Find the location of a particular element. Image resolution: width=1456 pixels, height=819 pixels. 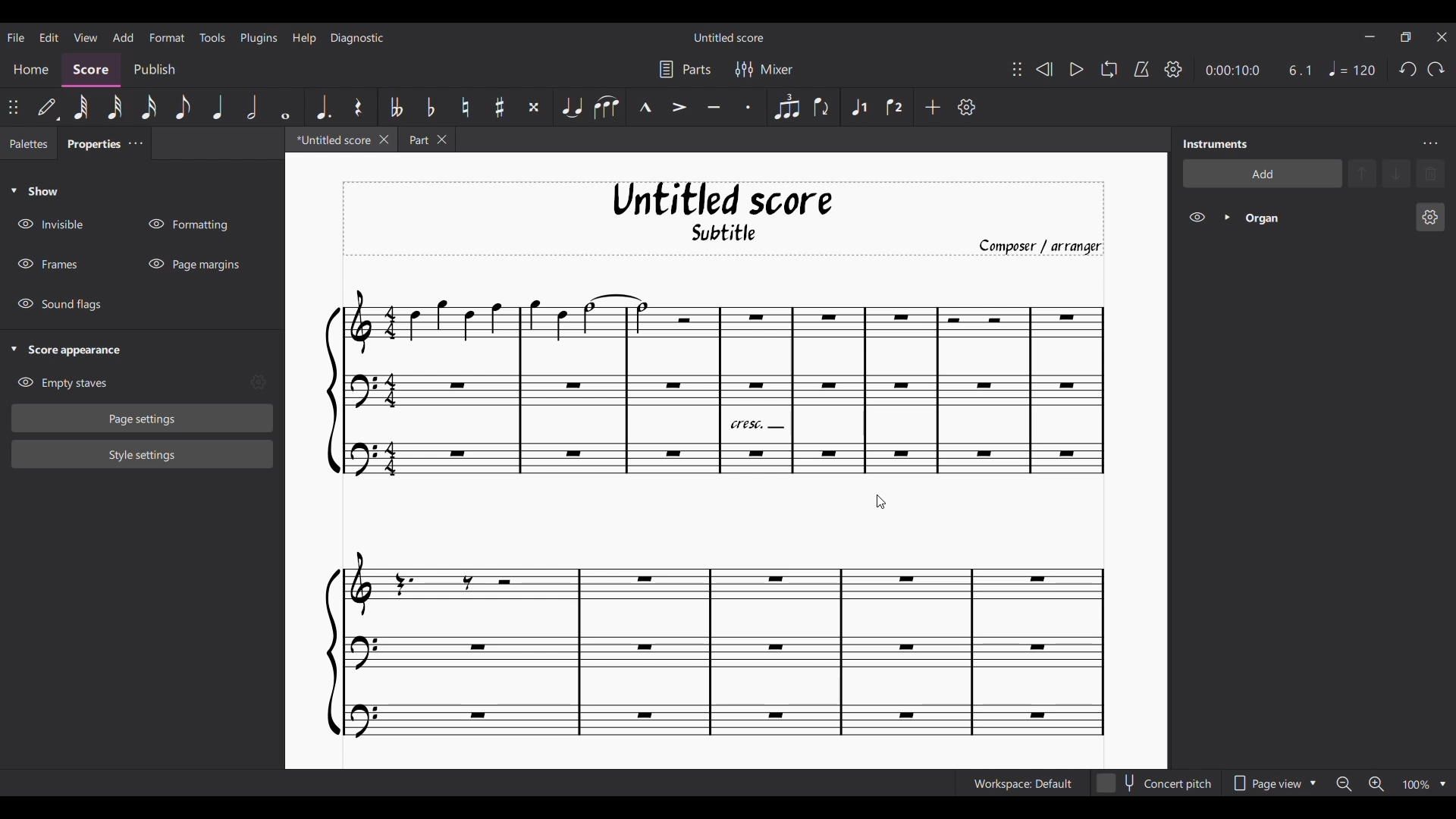

Tie is located at coordinates (571, 107).